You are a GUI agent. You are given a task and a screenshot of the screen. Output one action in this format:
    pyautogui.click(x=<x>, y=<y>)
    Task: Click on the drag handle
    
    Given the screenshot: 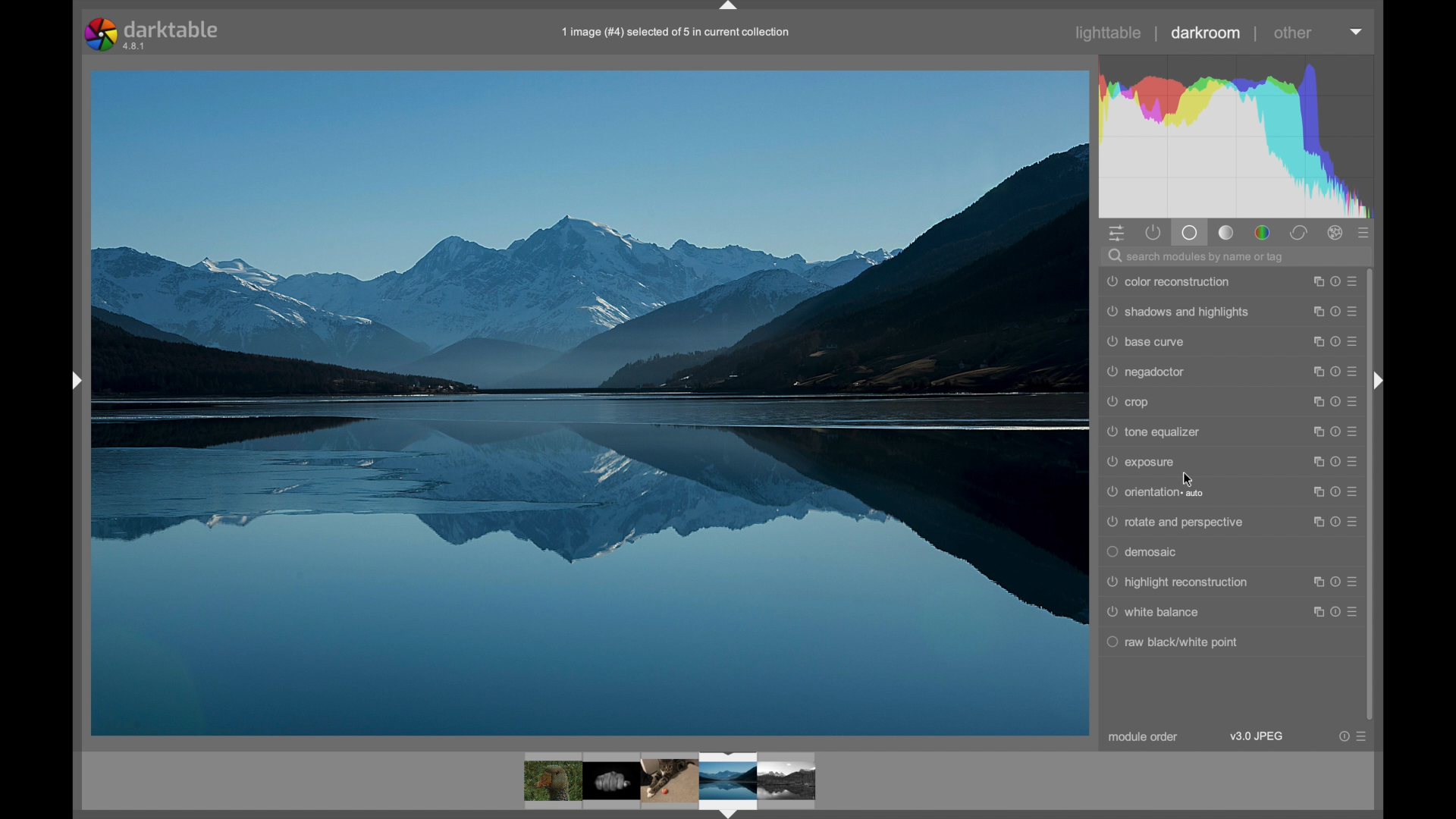 What is the action you would take?
    pyautogui.click(x=1378, y=382)
    